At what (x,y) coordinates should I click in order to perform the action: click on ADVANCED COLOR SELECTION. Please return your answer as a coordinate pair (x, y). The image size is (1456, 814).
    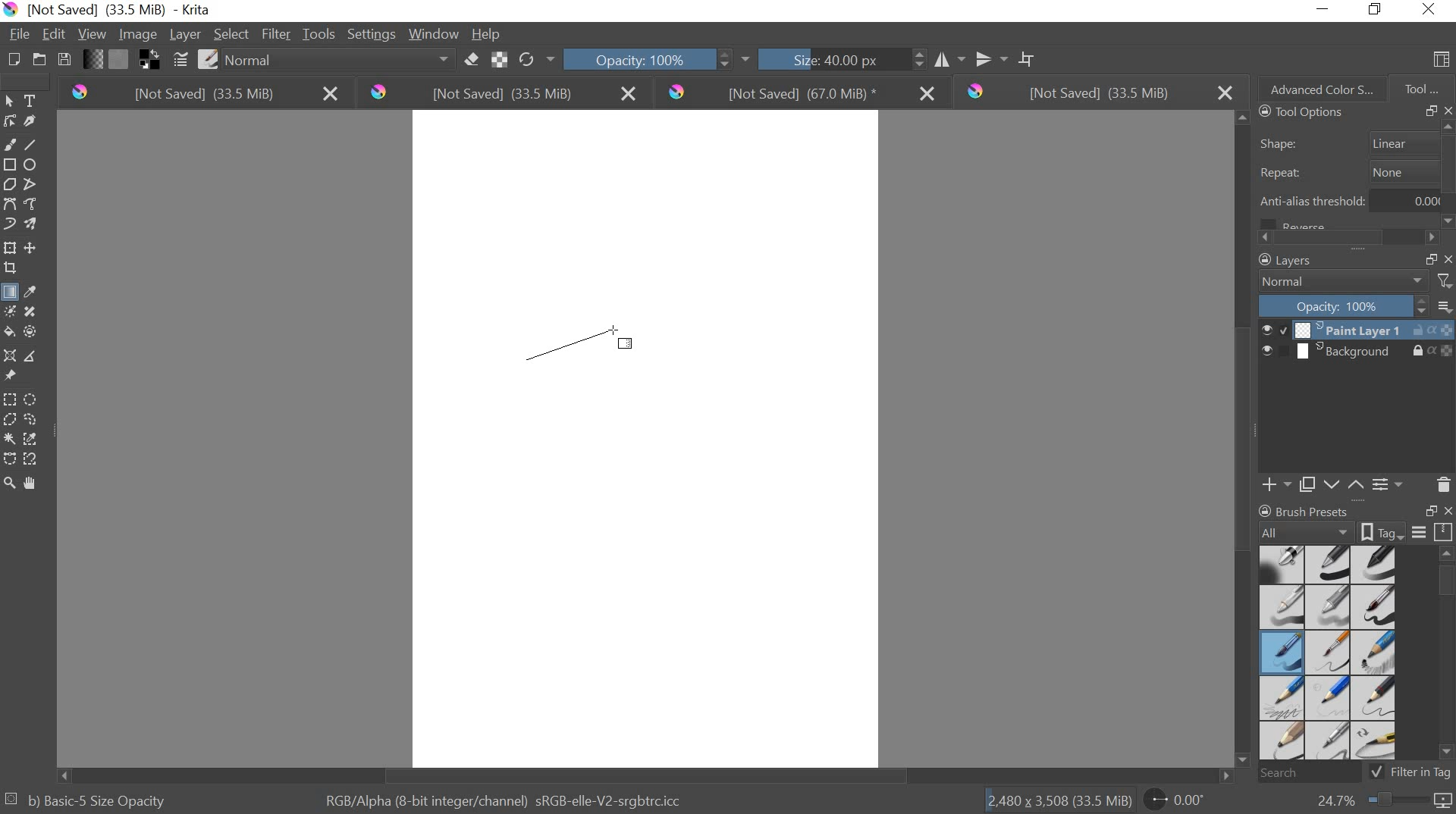
    Looking at the image, I should click on (1316, 86).